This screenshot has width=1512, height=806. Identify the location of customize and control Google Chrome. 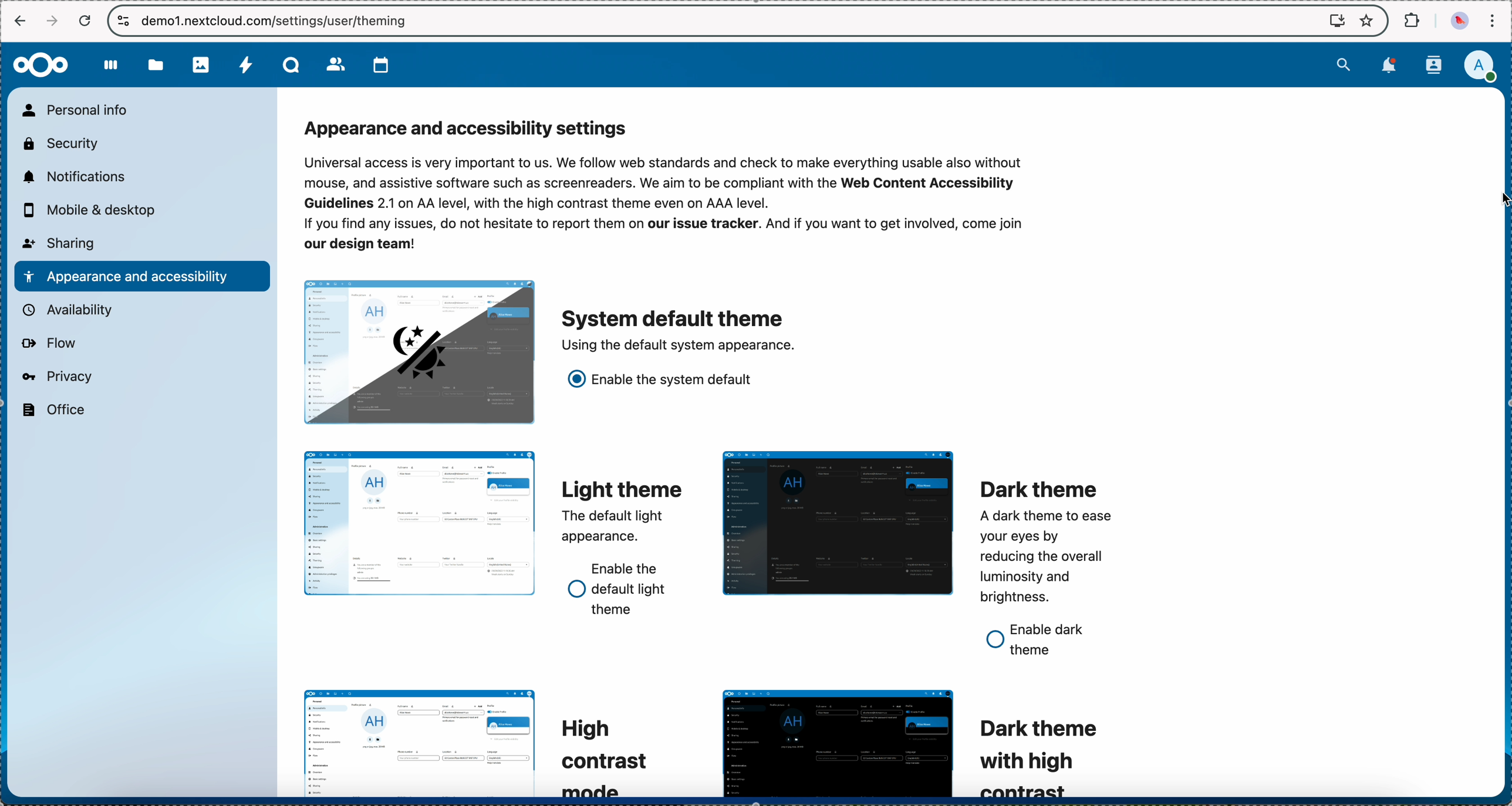
(1496, 18).